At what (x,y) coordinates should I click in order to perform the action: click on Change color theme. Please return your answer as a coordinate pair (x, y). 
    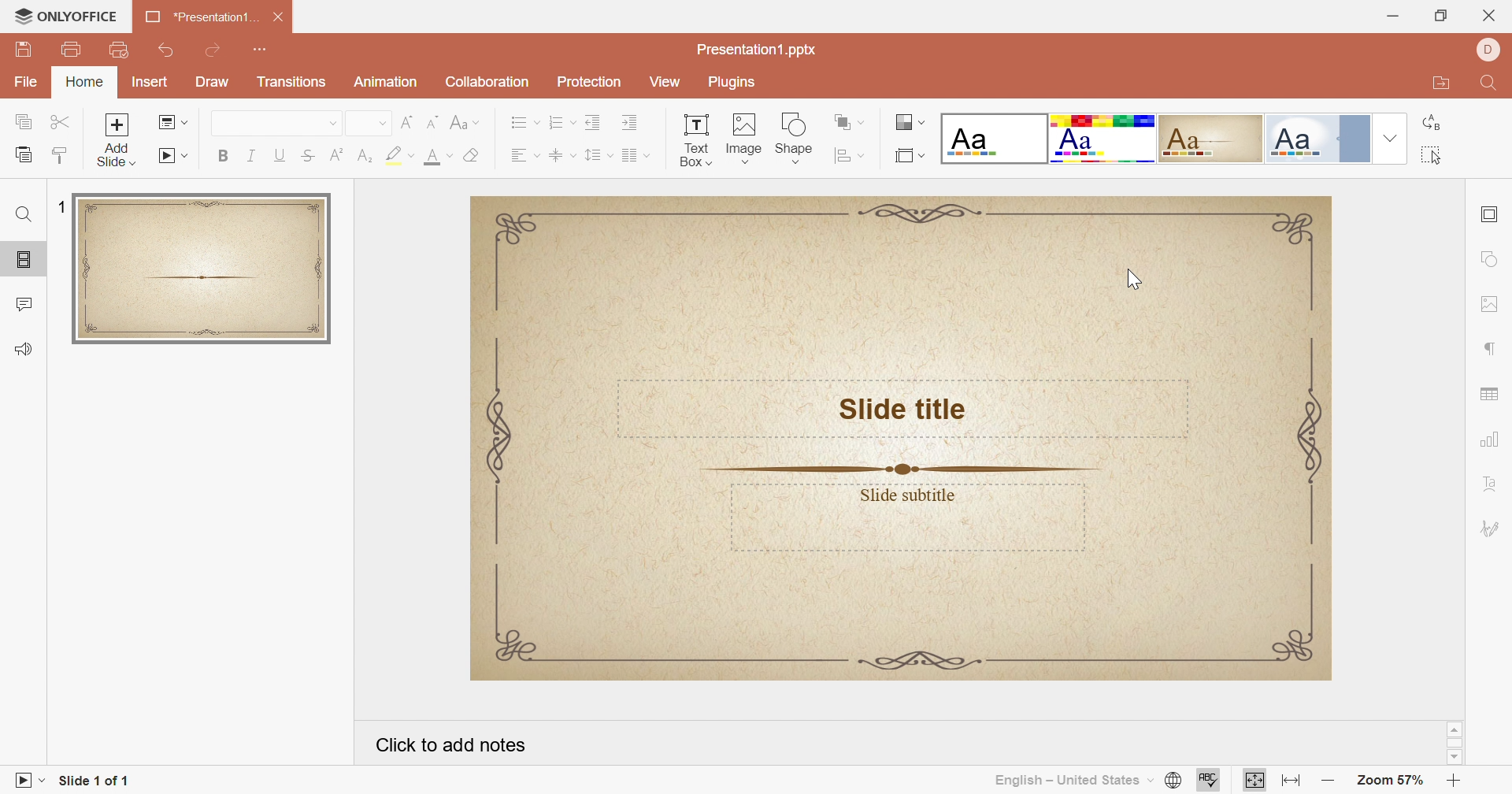
    Looking at the image, I should click on (902, 121).